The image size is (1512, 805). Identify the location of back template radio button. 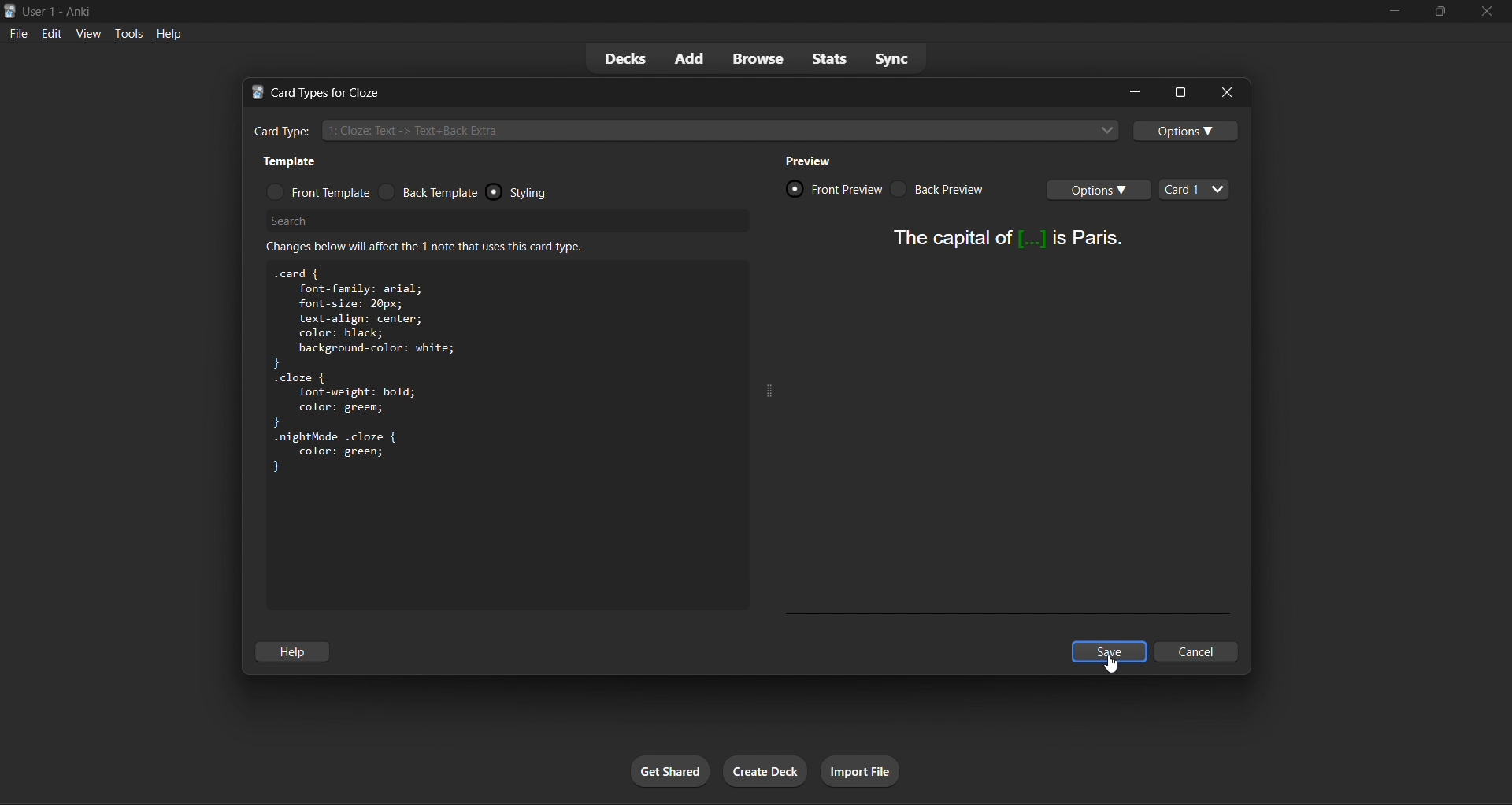
(431, 191).